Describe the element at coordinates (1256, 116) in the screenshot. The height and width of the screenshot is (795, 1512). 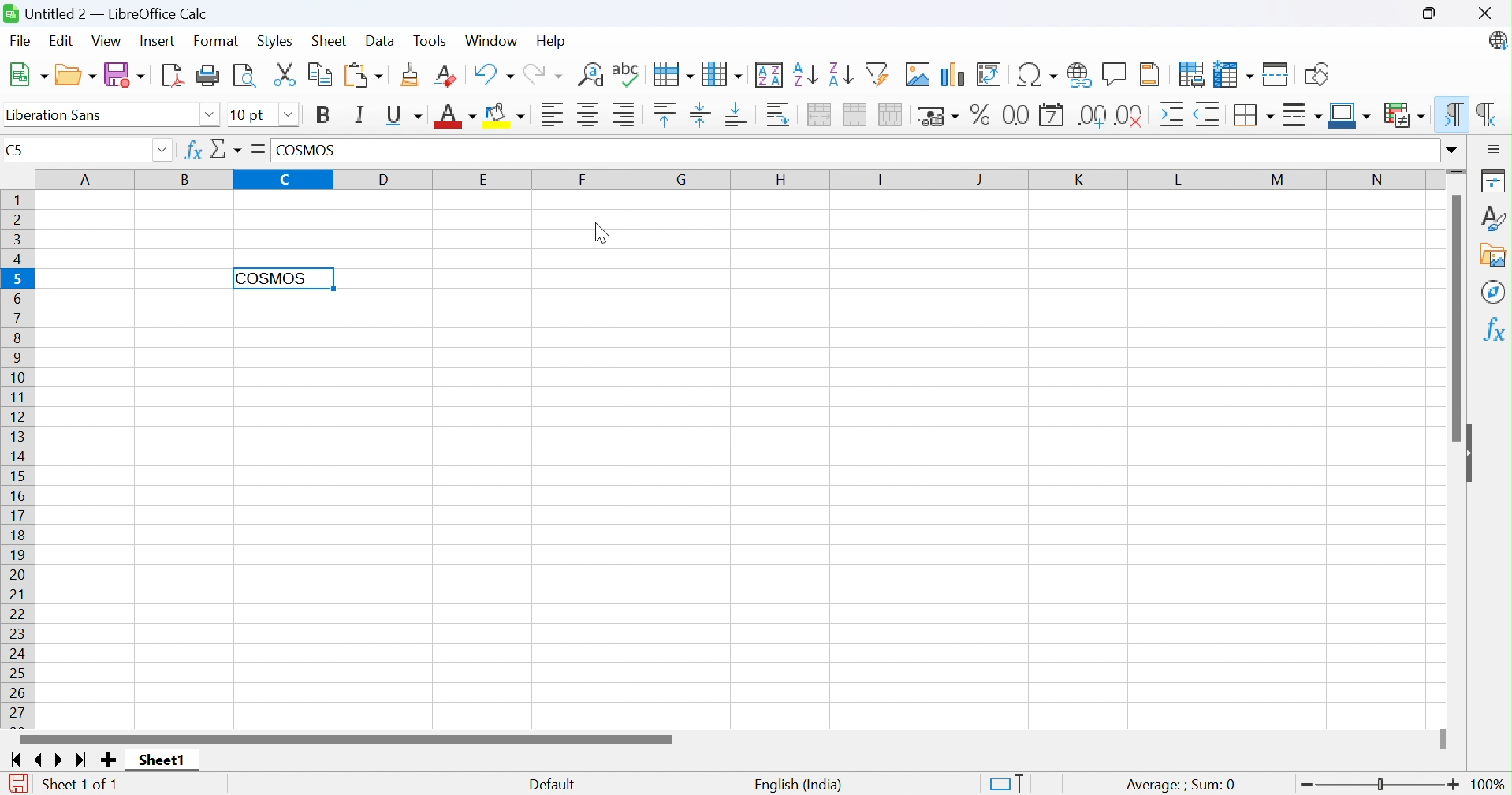
I see `Borders` at that location.